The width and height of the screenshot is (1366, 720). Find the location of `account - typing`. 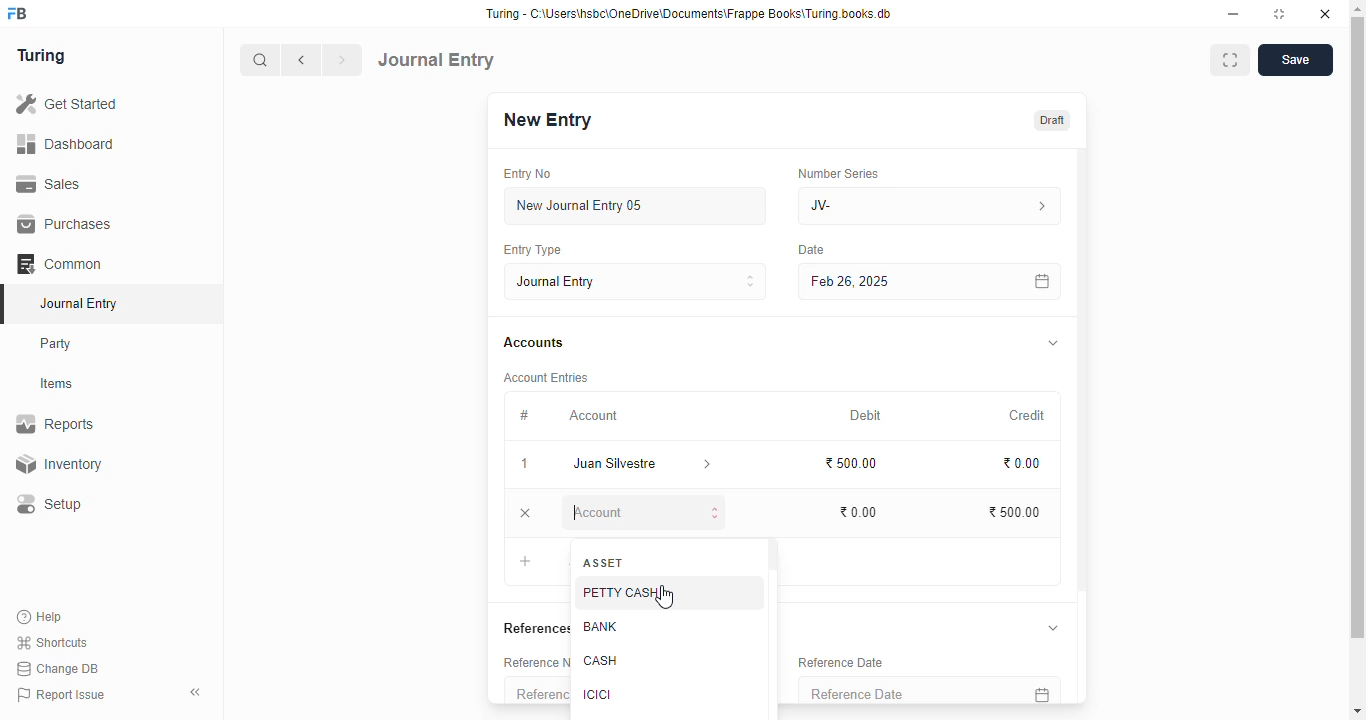

account - typing is located at coordinates (642, 512).